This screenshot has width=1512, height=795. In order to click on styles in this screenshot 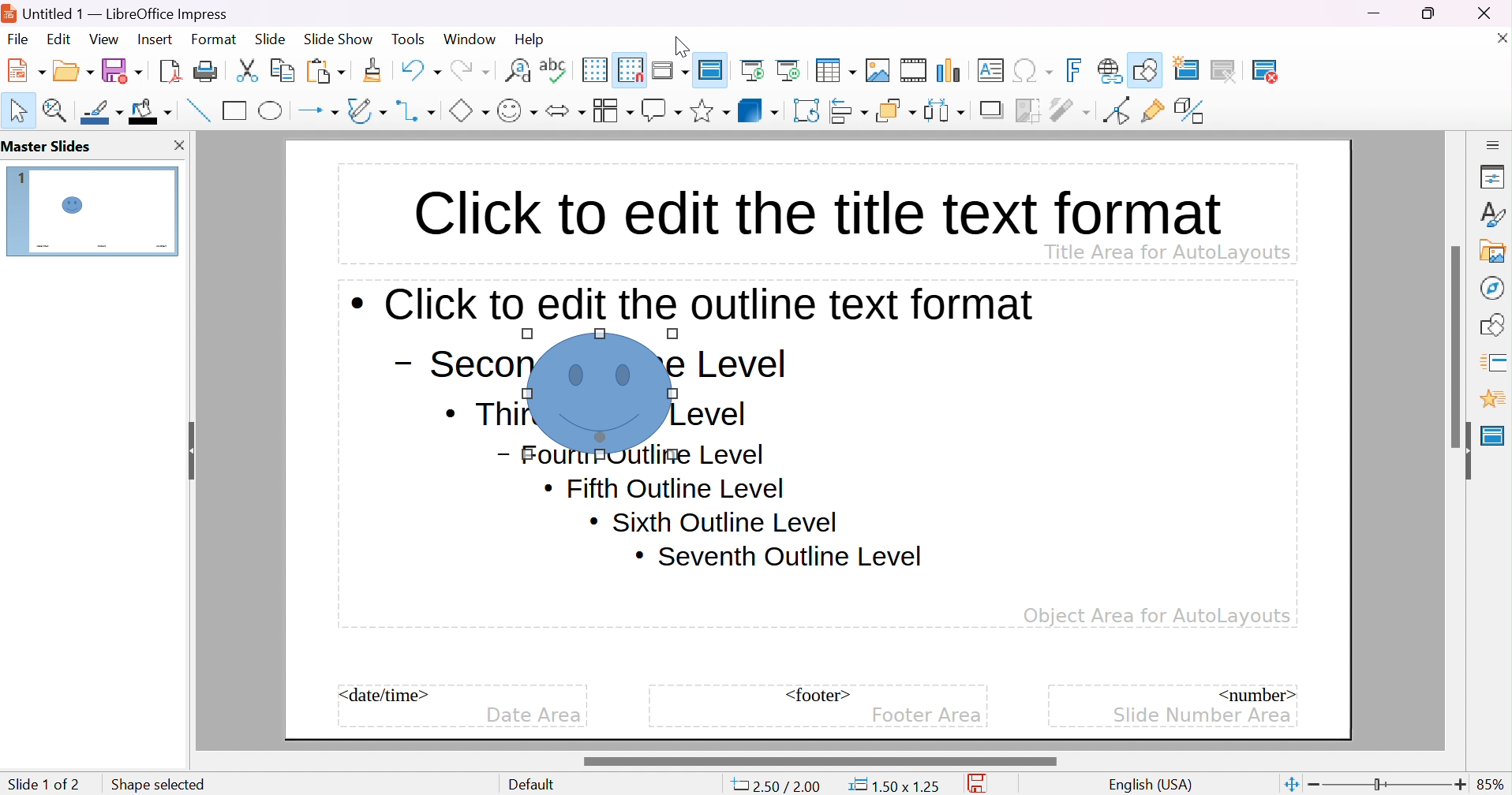, I will do `click(1494, 214)`.